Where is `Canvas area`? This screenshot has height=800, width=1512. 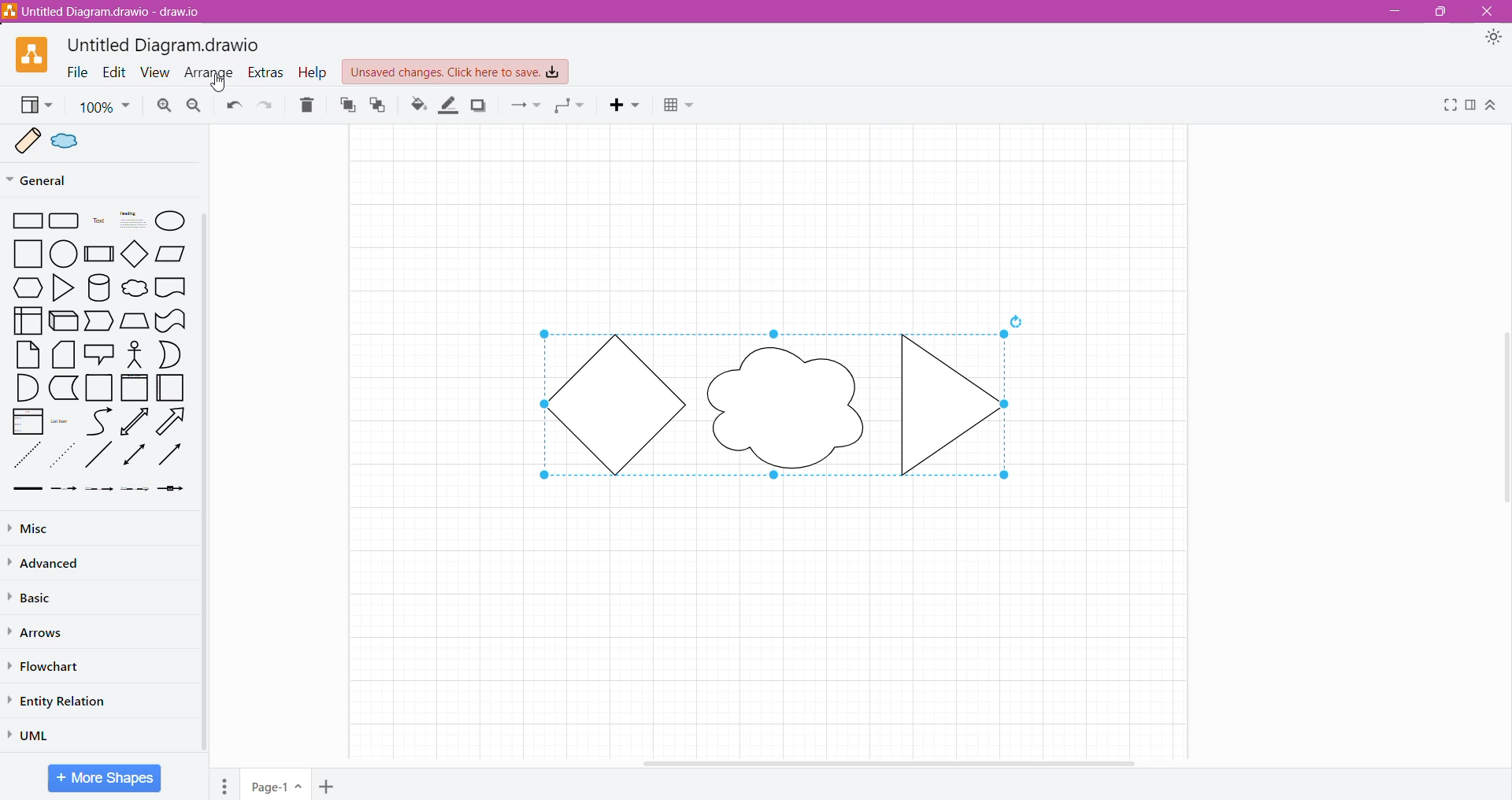
Canvas area is located at coordinates (770, 612).